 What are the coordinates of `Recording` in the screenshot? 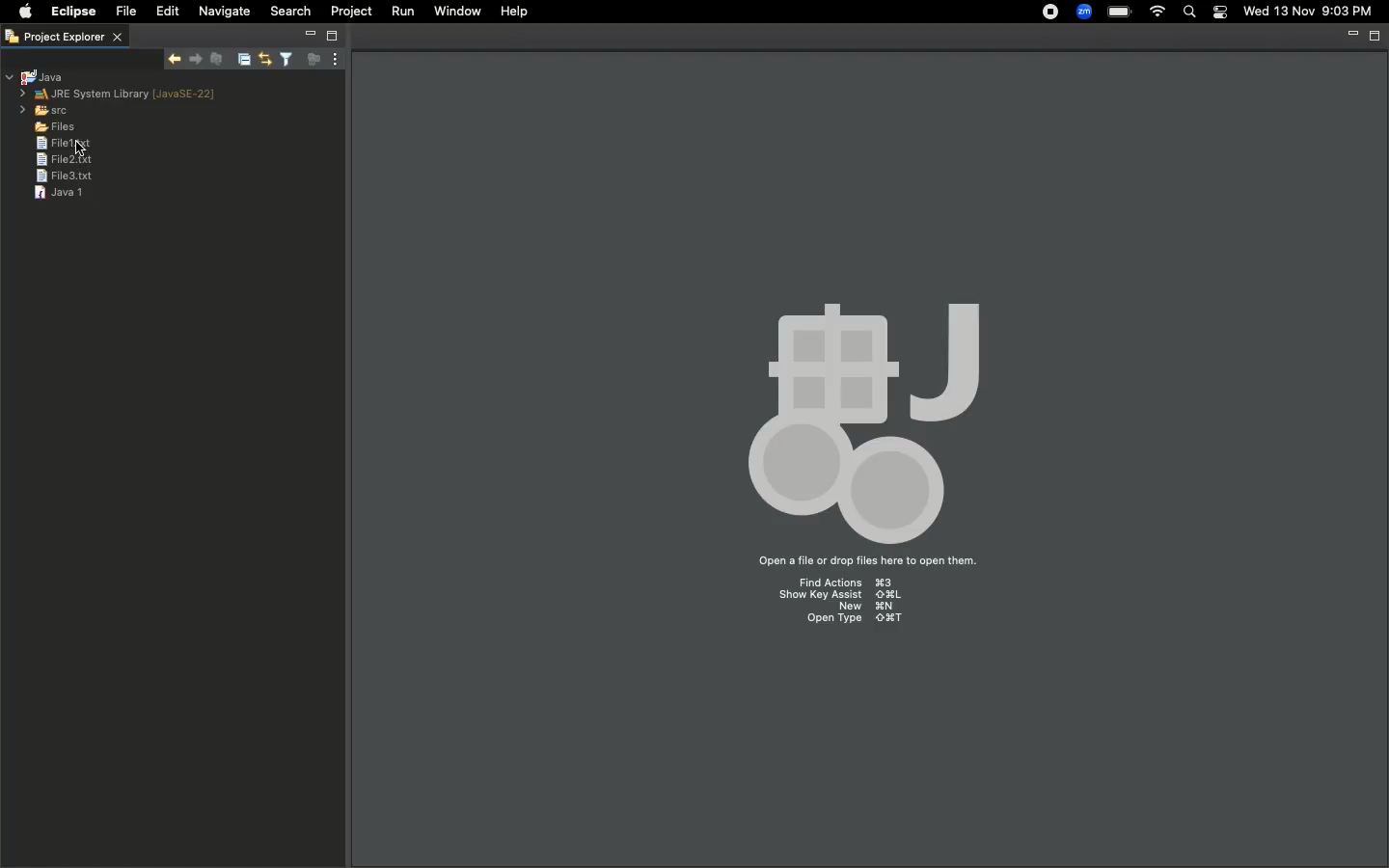 It's located at (1046, 14).